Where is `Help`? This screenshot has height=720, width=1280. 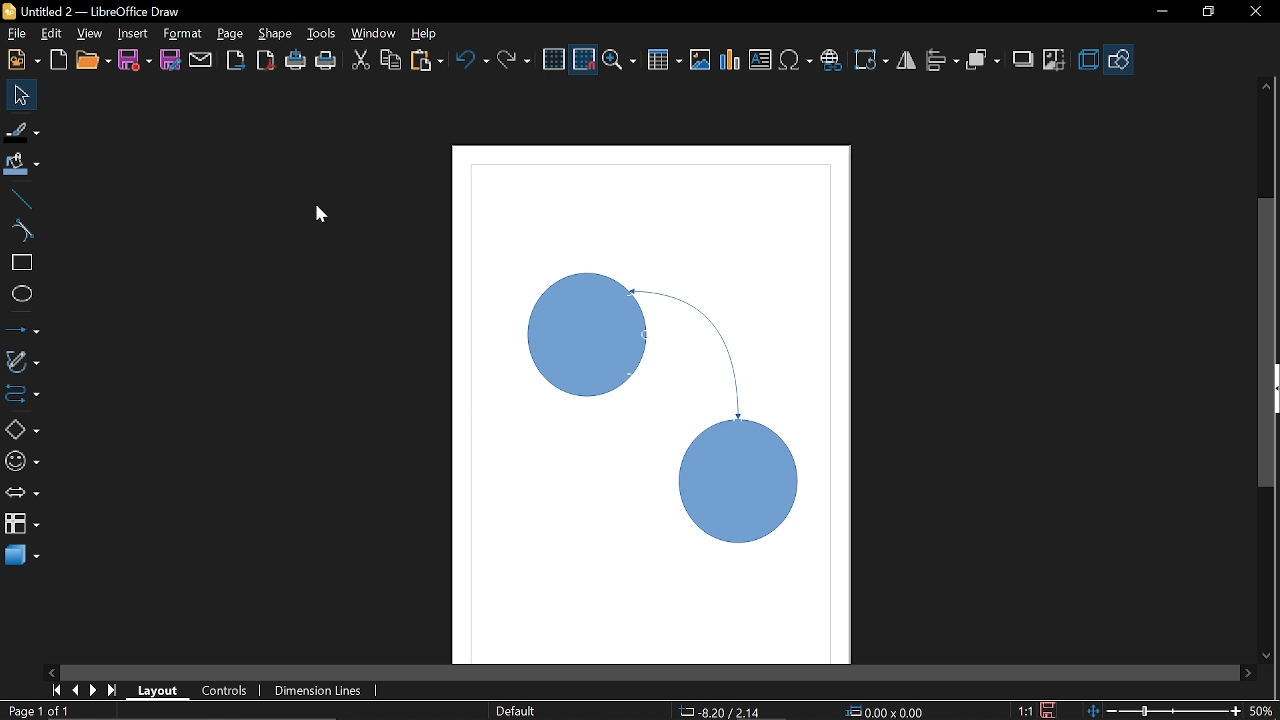 Help is located at coordinates (427, 34).